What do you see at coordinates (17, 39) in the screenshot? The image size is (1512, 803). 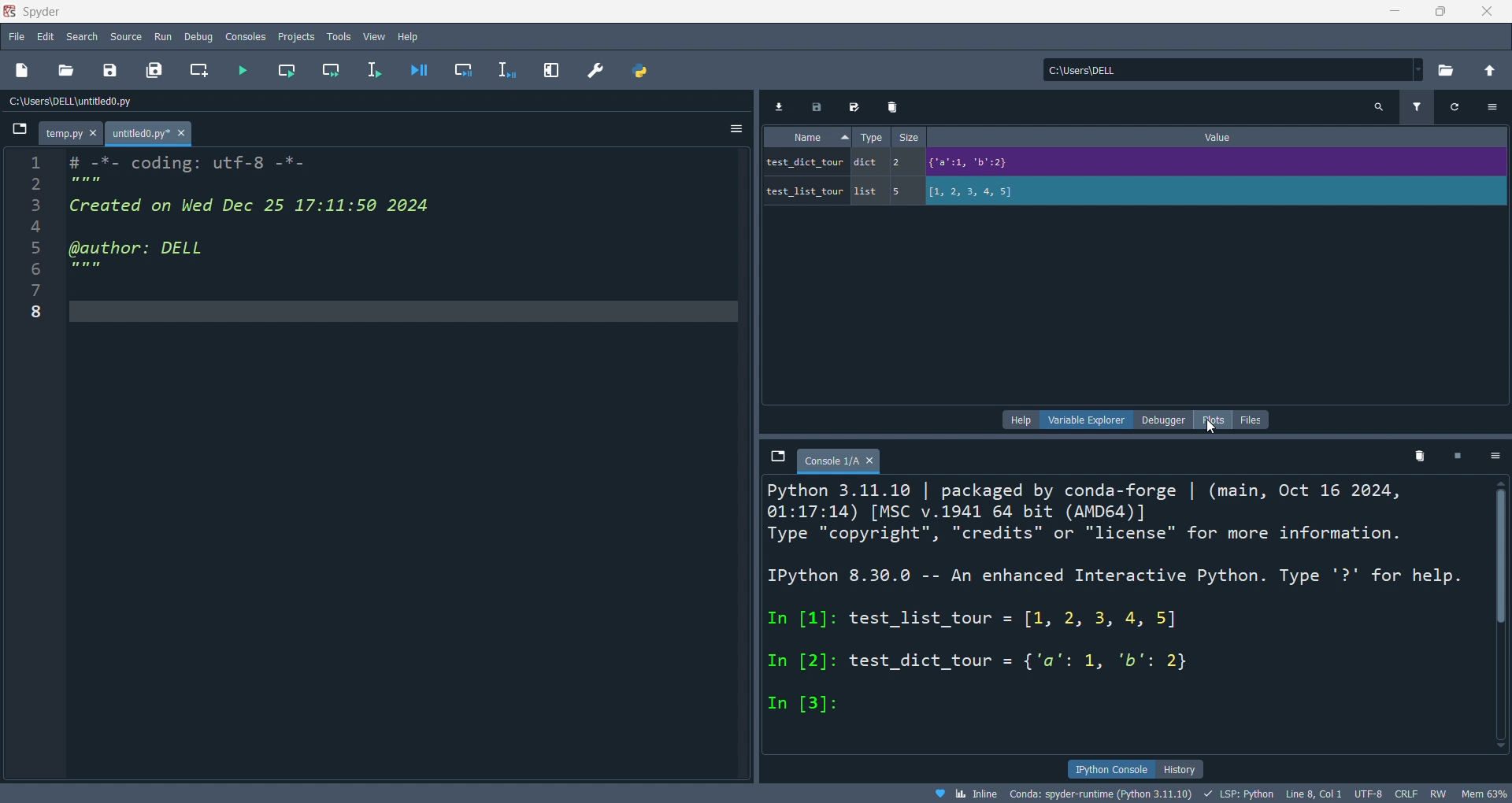 I see `file` at bounding box center [17, 39].